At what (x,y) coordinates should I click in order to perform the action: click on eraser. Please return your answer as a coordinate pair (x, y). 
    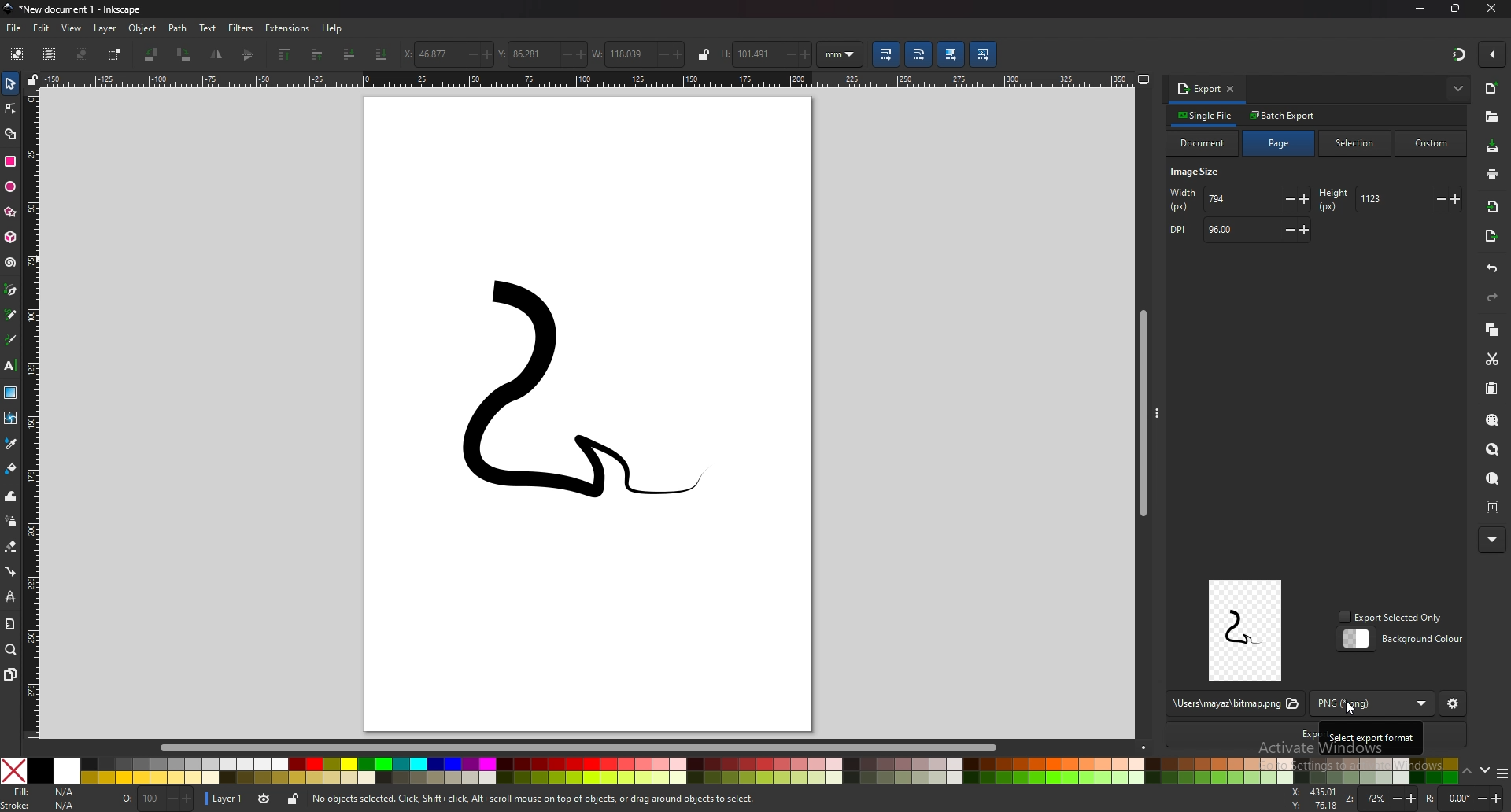
    Looking at the image, I should click on (11, 547).